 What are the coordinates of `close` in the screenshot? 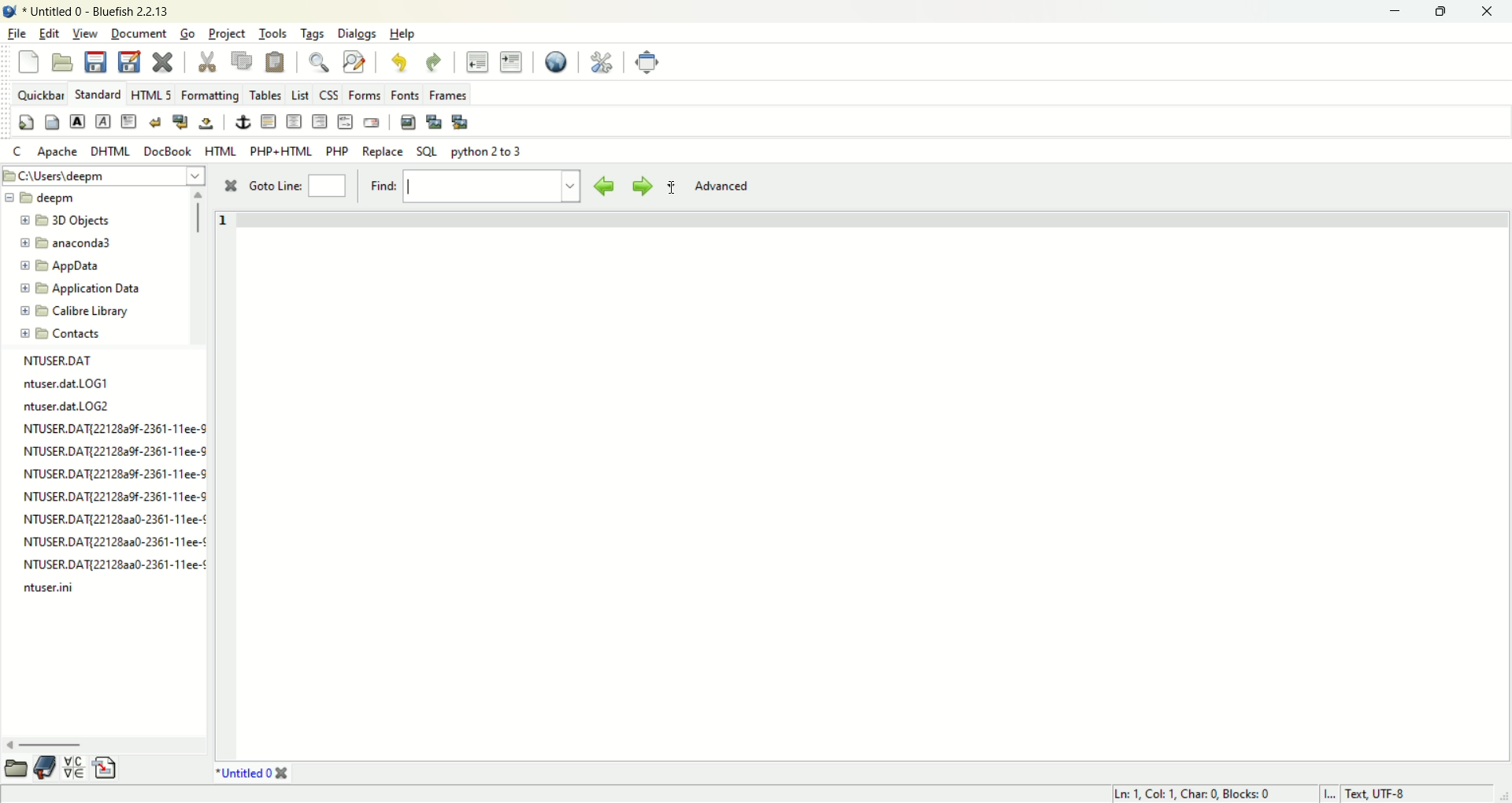 It's located at (229, 187).